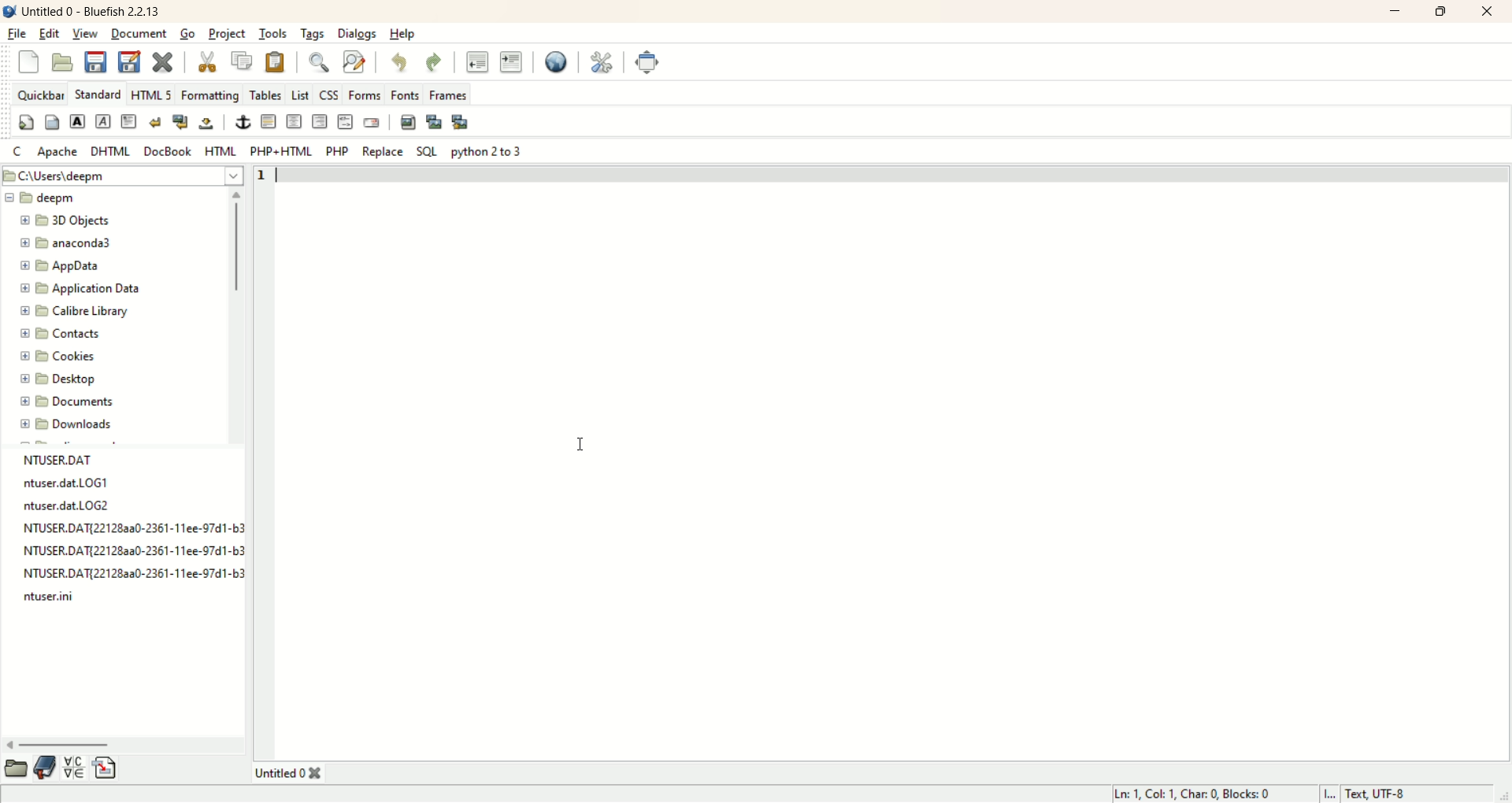 The width and height of the screenshot is (1512, 803). What do you see at coordinates (1443, 12) in the screenshot?
I see `maximize` at bounding box center [1443, 12].